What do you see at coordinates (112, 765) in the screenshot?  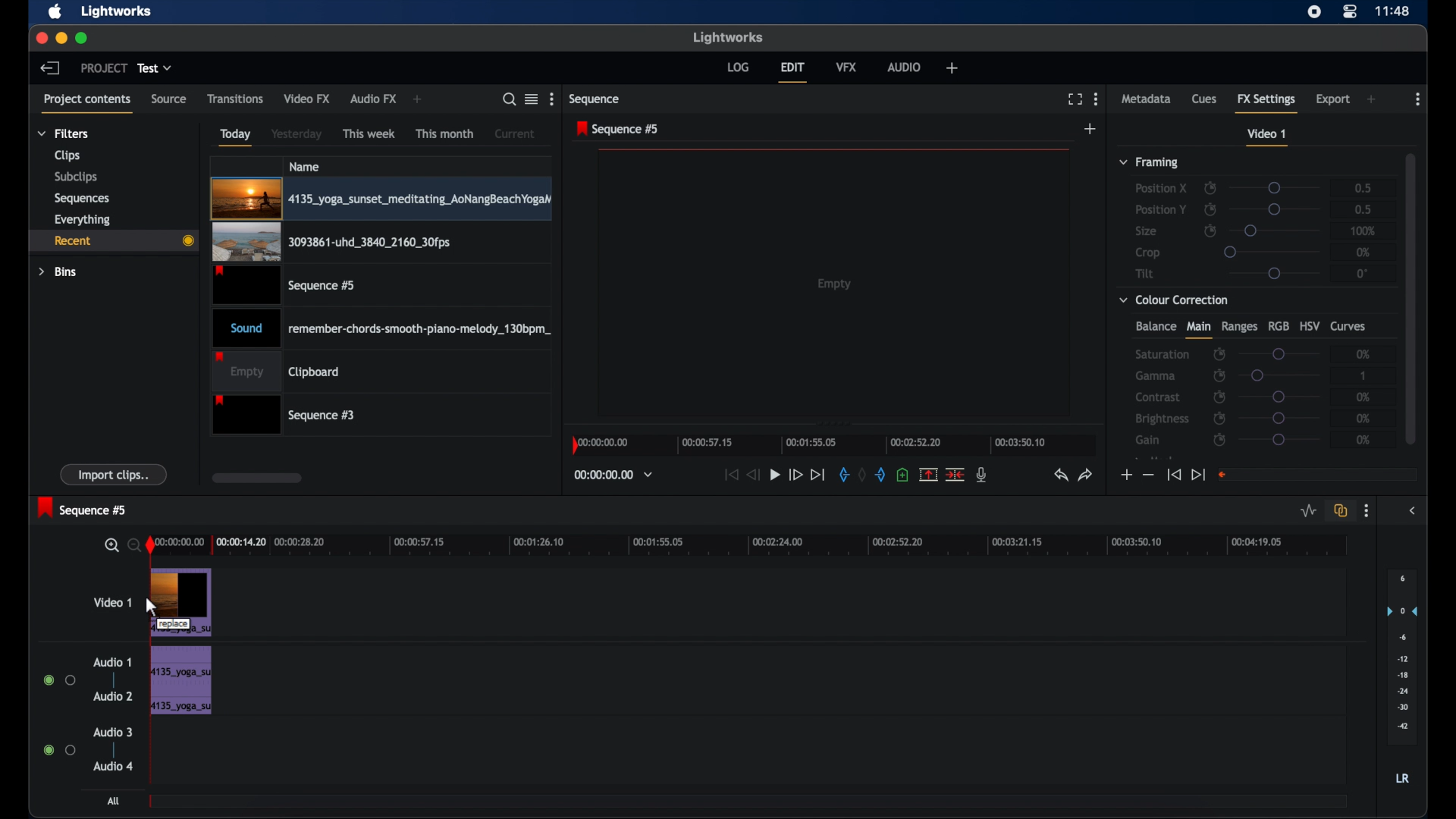 I see `audio 4` at bounding box center [112, 765].